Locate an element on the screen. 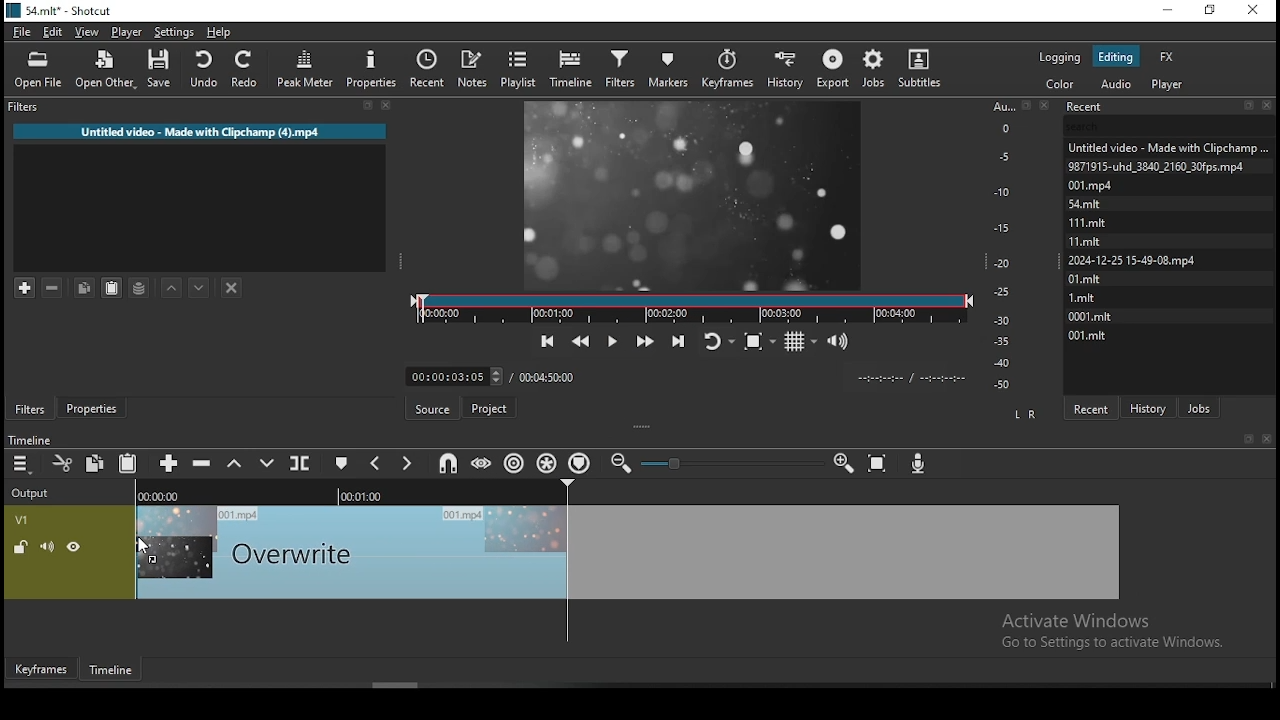 The height and width of the screenshot is (720, 1280). zoom timeline out is located at coordinates (843, 466).